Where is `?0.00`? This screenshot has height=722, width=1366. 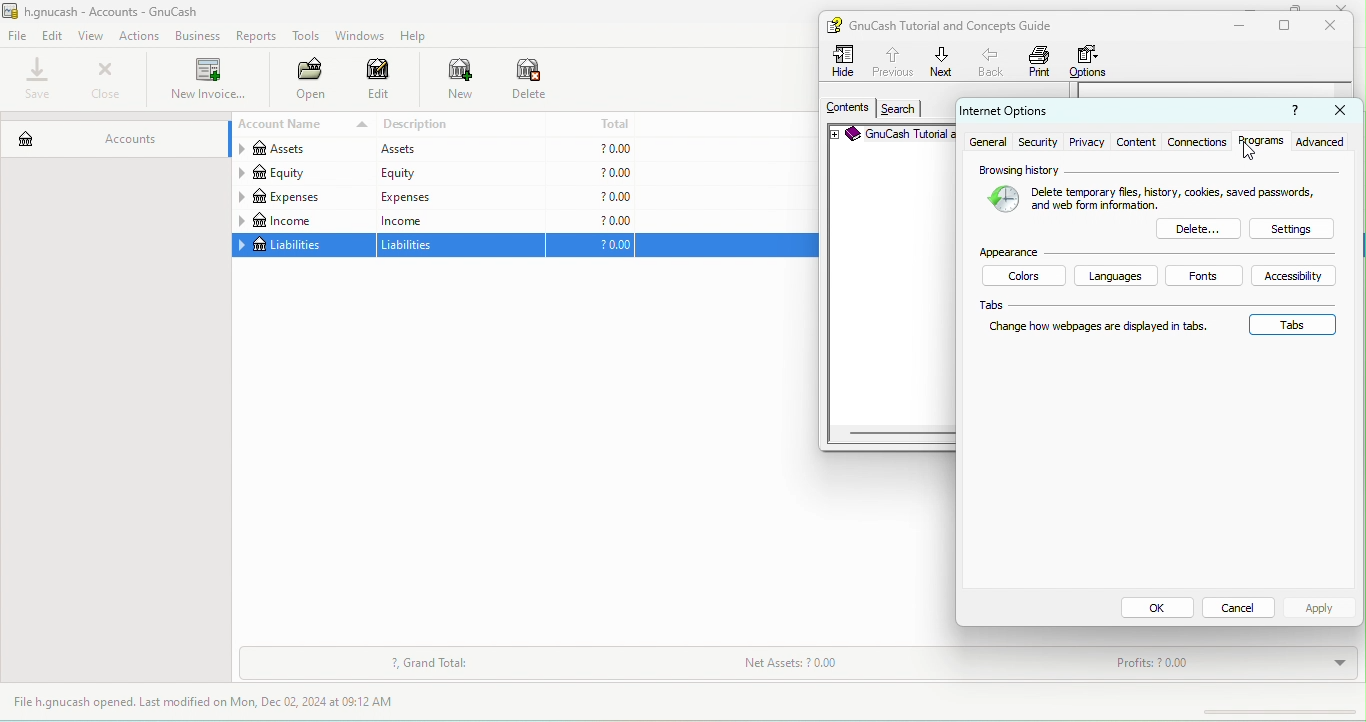 ?0.00 is located at coordinates (590, 220).